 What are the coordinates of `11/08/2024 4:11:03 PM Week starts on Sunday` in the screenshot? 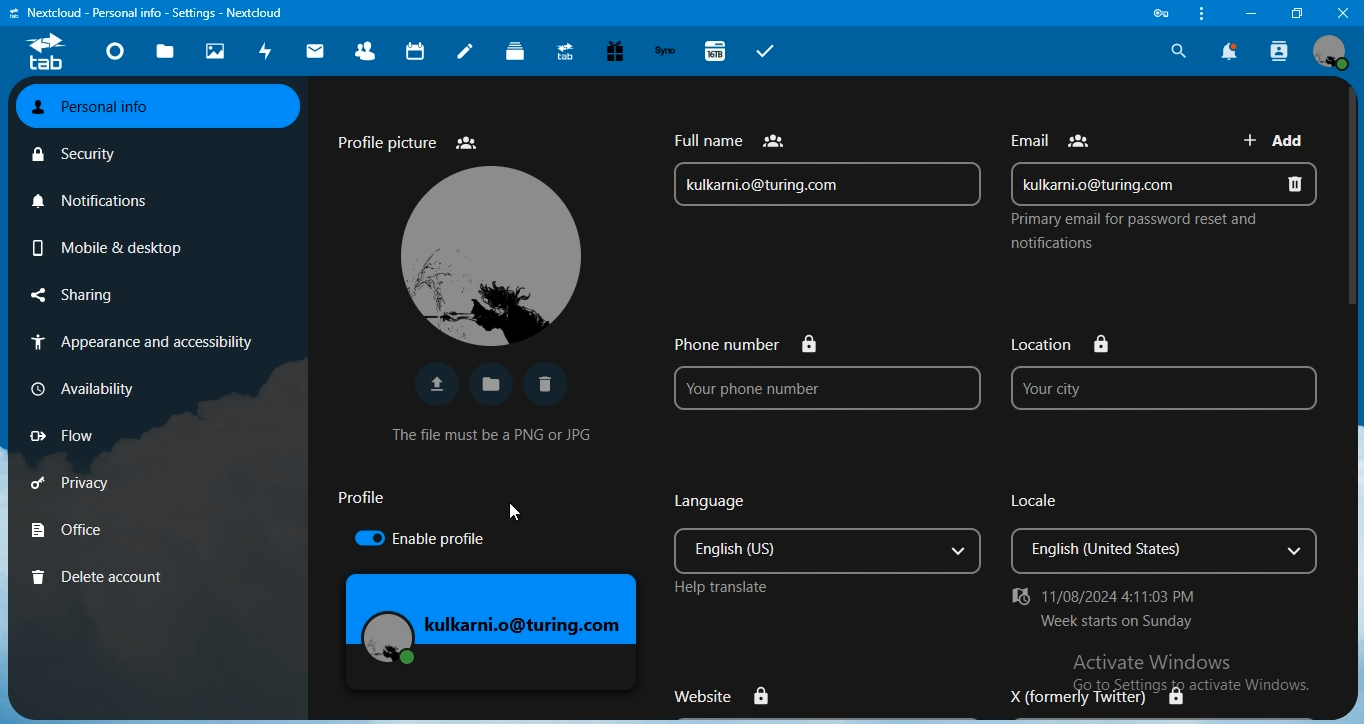 It's located at (1121, 609).